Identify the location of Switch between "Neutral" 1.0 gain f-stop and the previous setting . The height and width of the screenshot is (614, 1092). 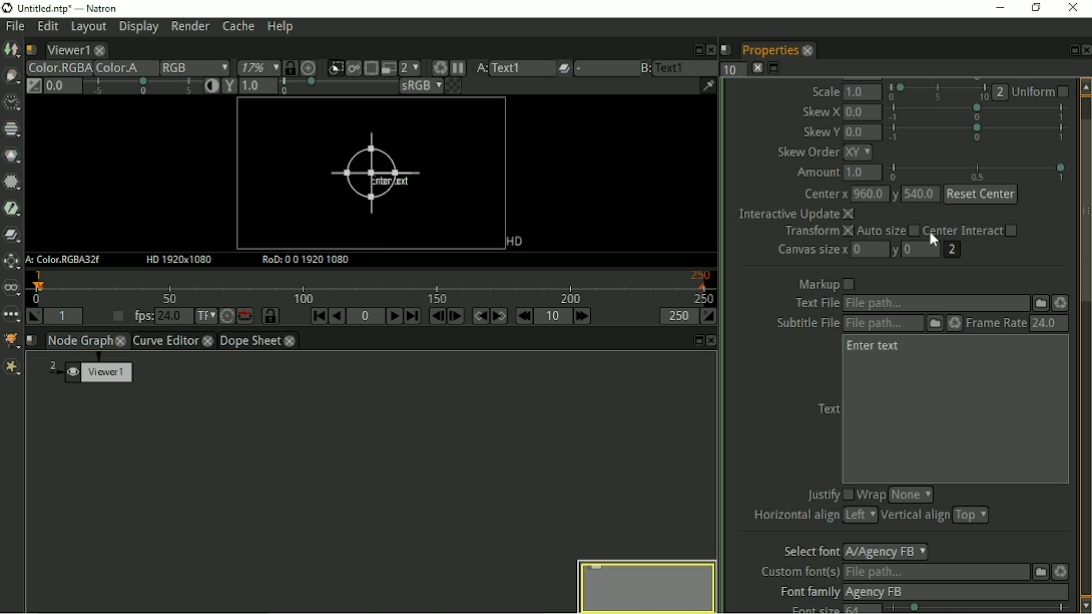
(33, 86).